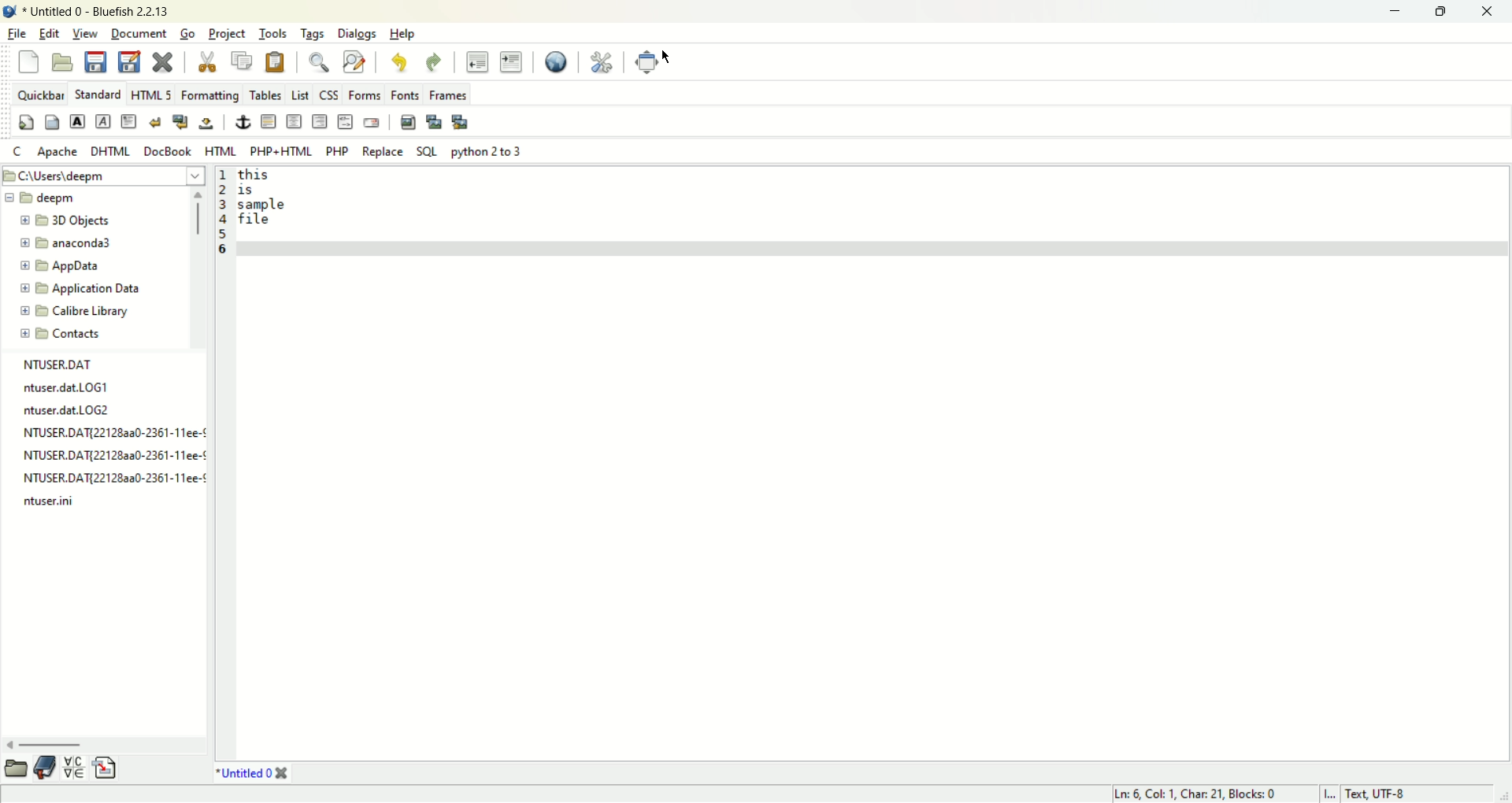 This screenshot has width=1512, height=803. What do you see at coordinates (113, 431) in the screenshot?
I see `NTUSER.DAT[22128aa0-2361-11ee-!` at bounding box center [113, 431].